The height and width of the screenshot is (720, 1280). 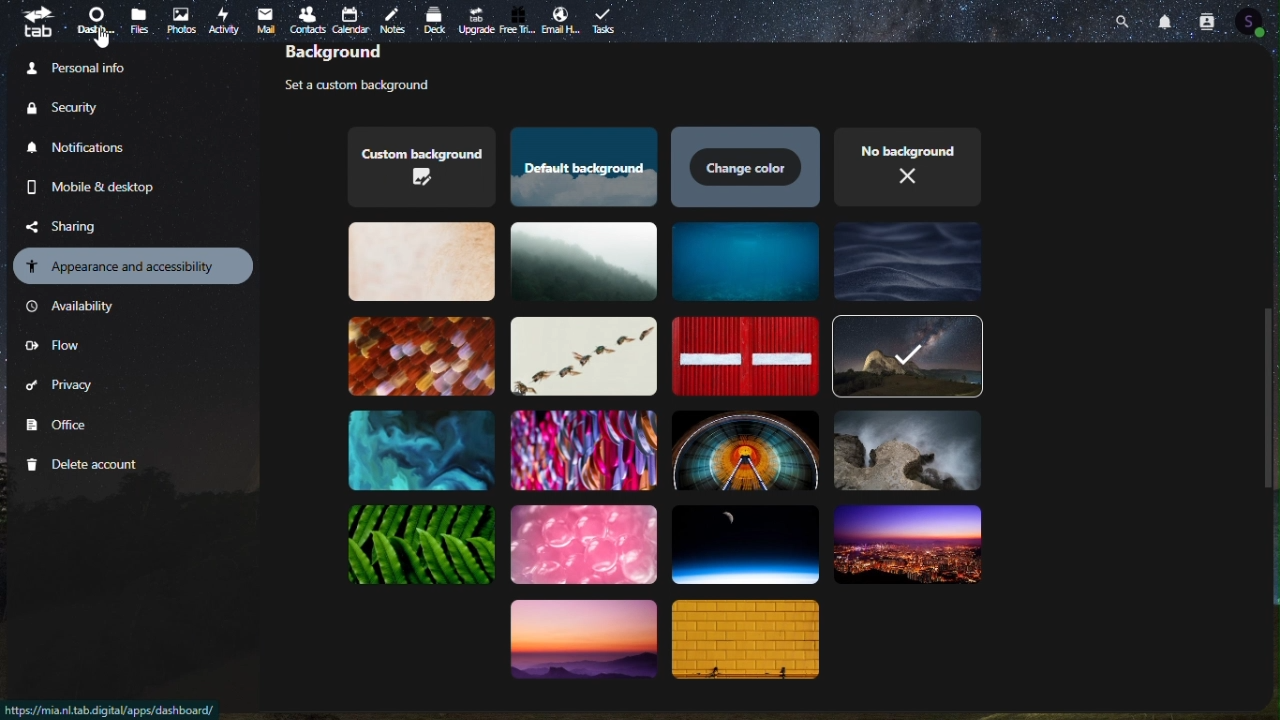 I want to click on deck, so click(x=438, y=19).